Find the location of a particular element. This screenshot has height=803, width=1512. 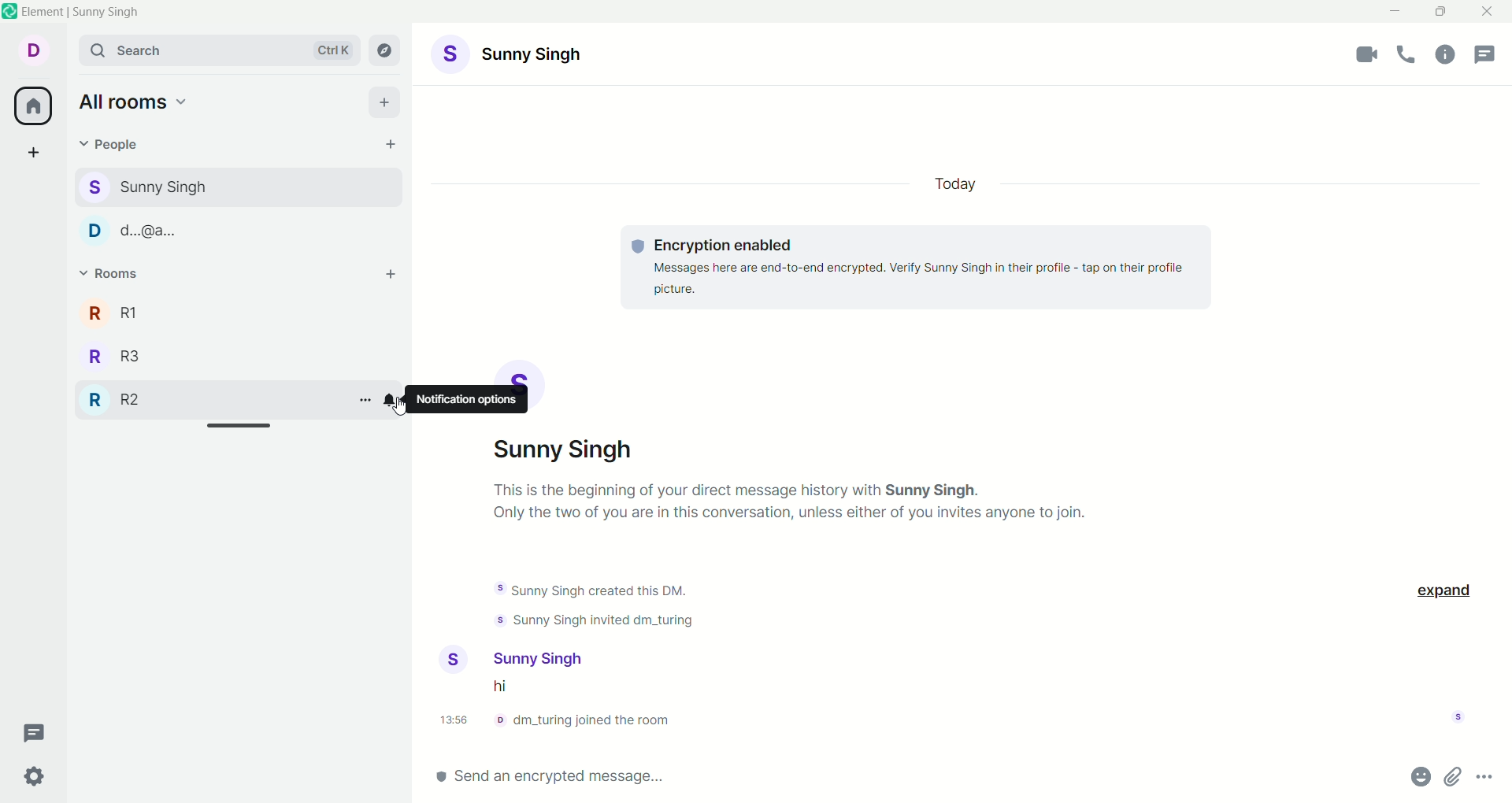

notification options is located at coordinates (469, 400).